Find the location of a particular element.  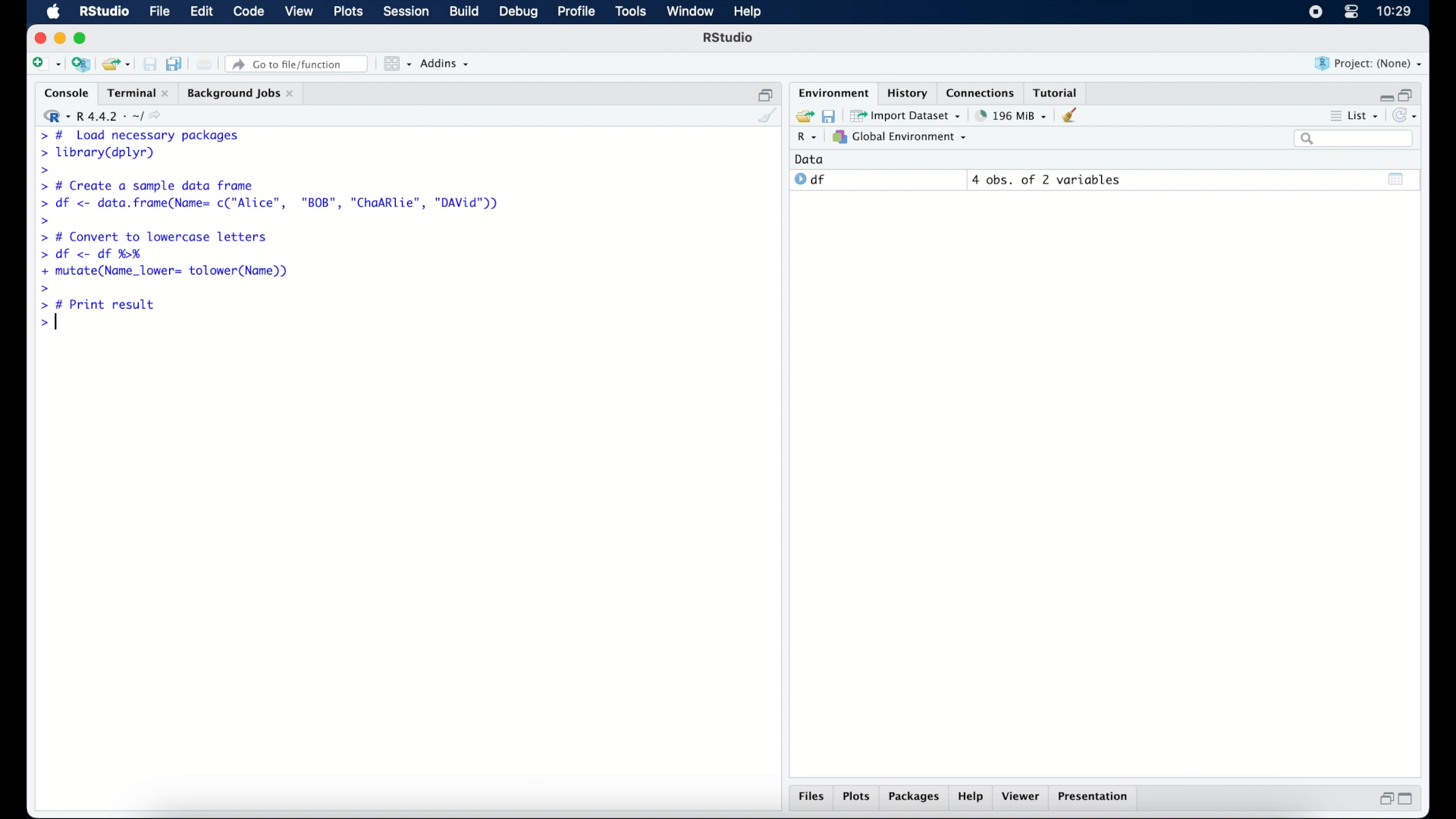

restore down is located at coordinates (1384, 800).